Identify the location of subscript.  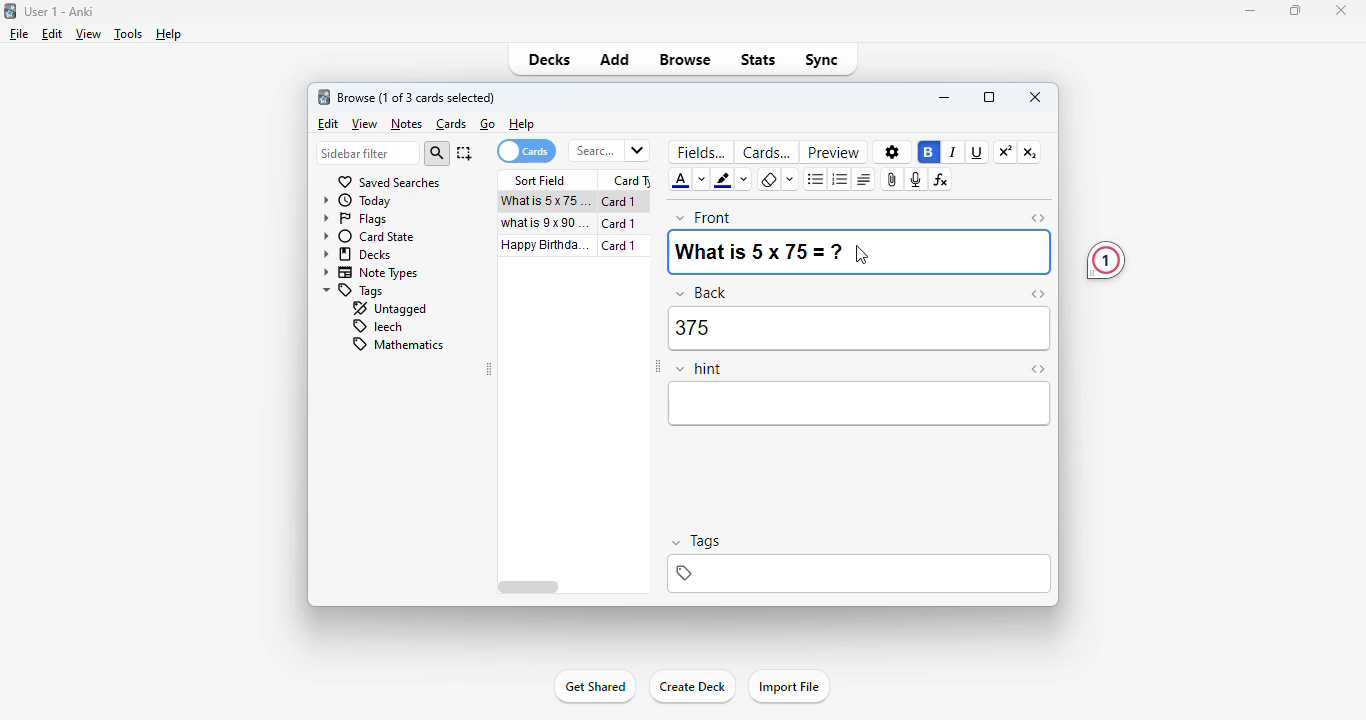
(1030, 153).